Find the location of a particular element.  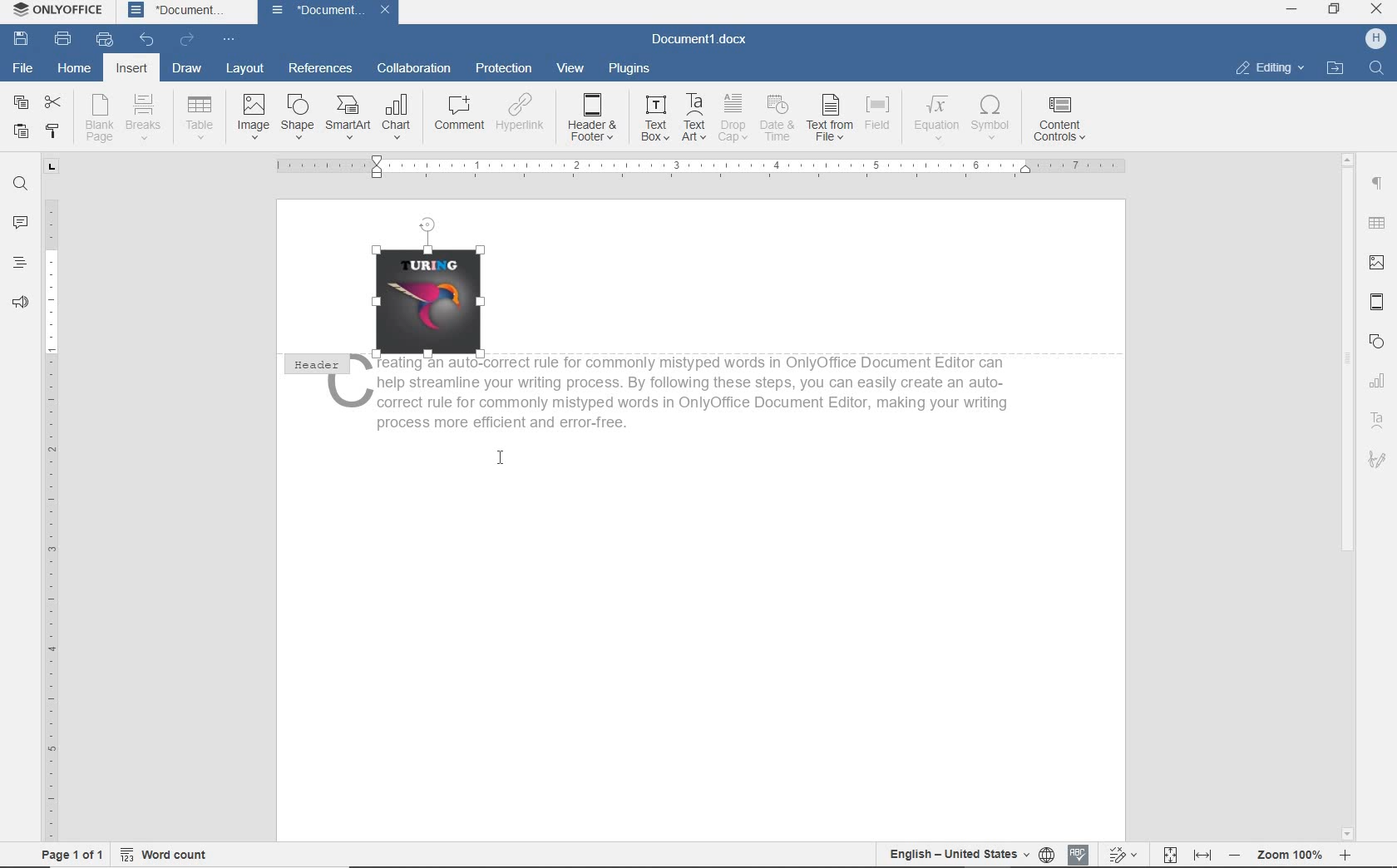

LOGO ADDED TO THE HEADER is located at coordinates (434, 285).